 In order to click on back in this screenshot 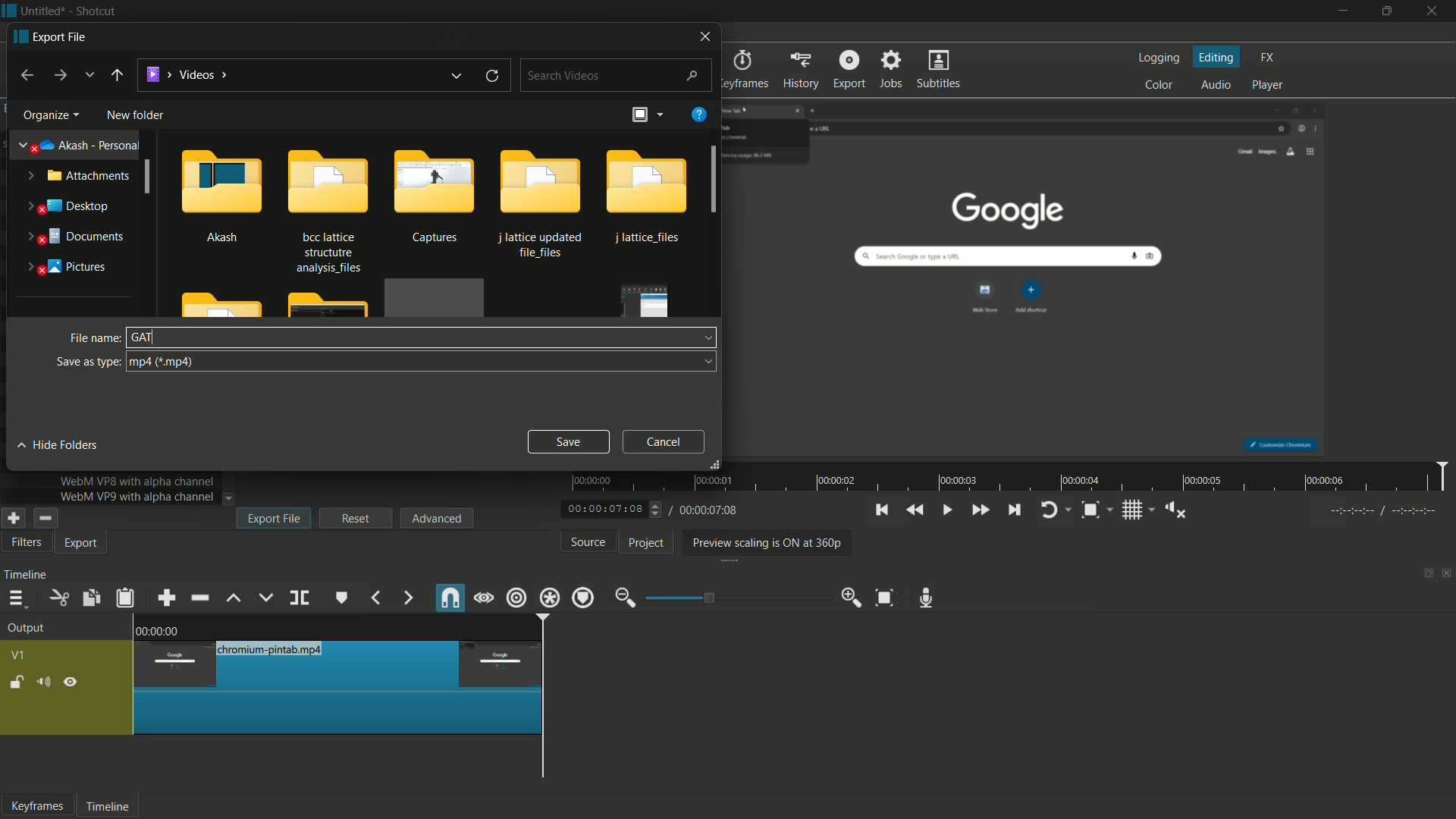, I will do `click(24, 76)`.